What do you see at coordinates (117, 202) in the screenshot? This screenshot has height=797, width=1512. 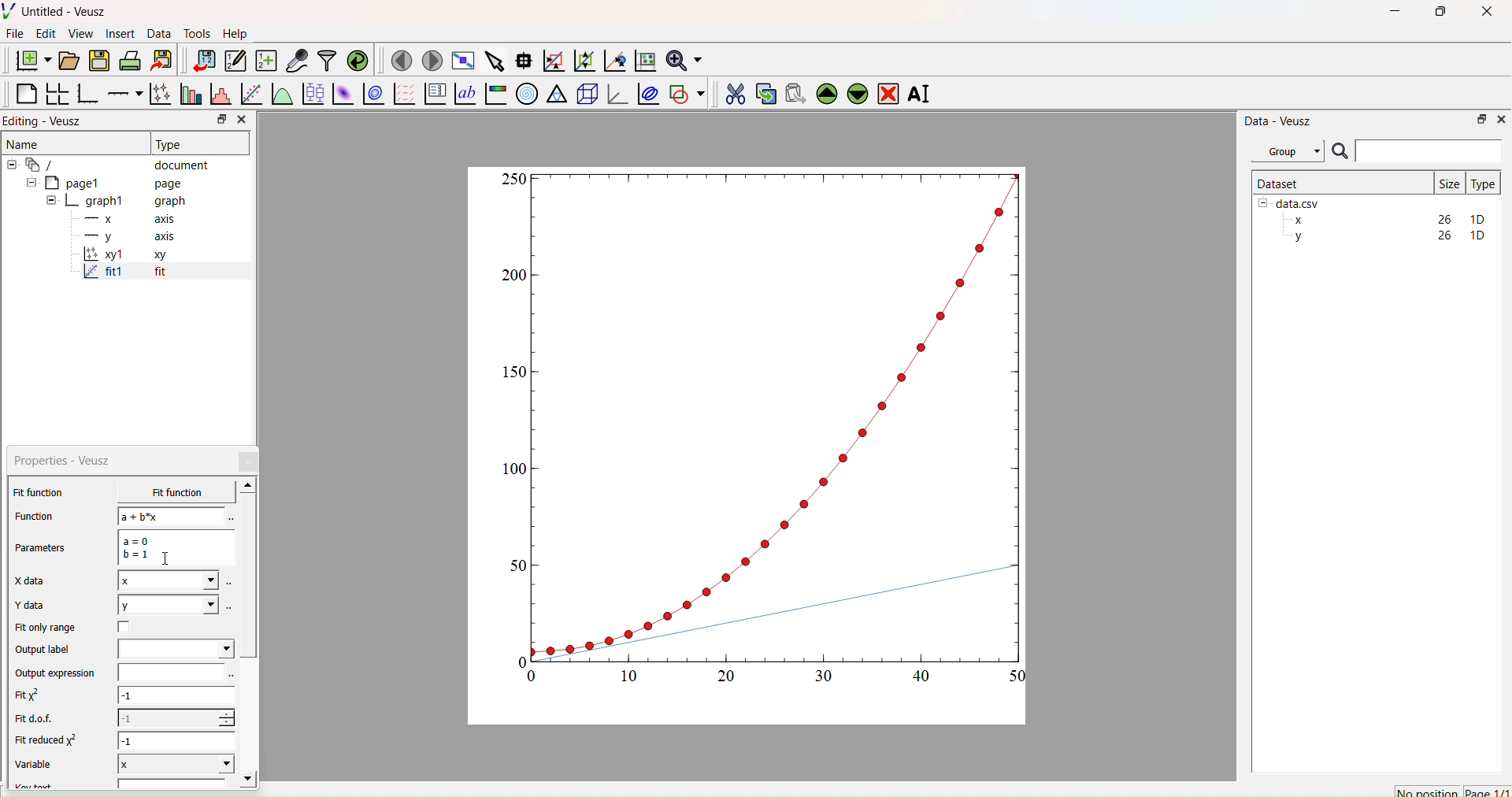 I see `graph1 graph` at bounding box center [117, 202].